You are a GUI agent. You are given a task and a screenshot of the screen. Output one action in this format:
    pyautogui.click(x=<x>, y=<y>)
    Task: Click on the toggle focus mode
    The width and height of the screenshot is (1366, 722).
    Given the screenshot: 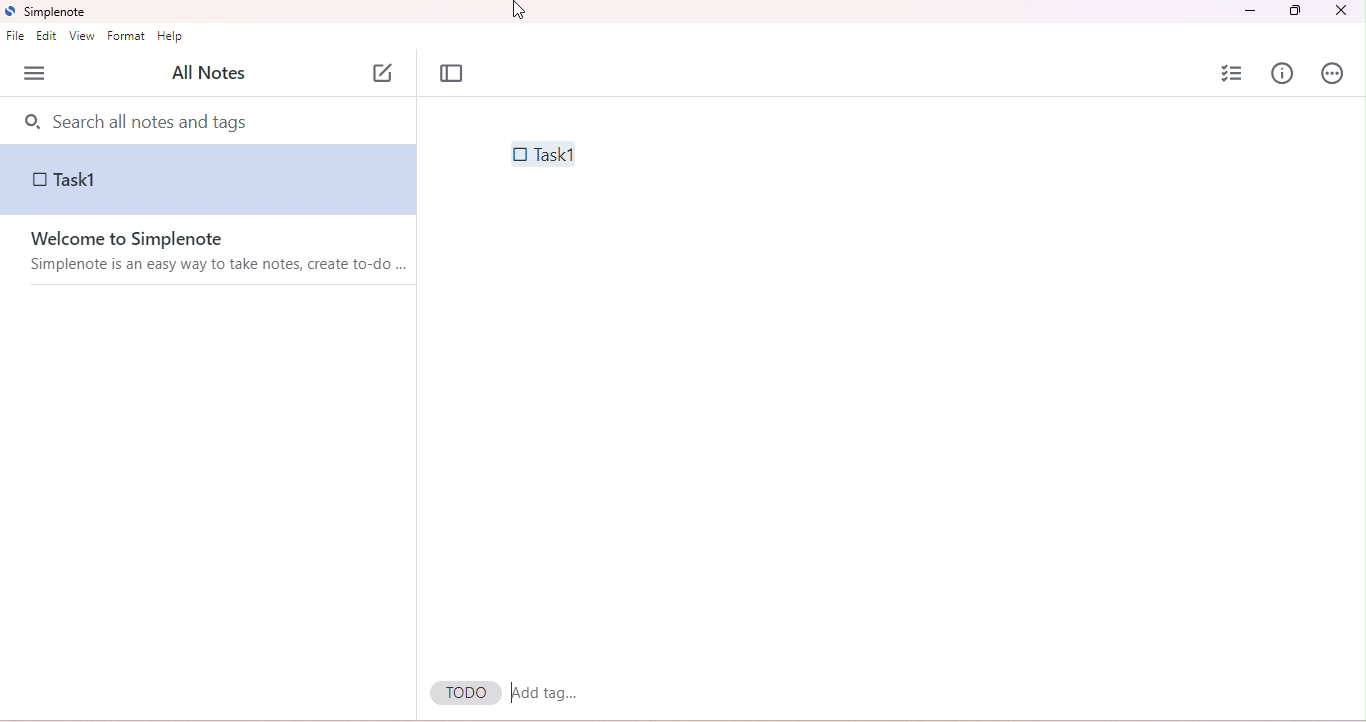 What is the action you would take?
    pyautogui.click(x=452, y=74)
    